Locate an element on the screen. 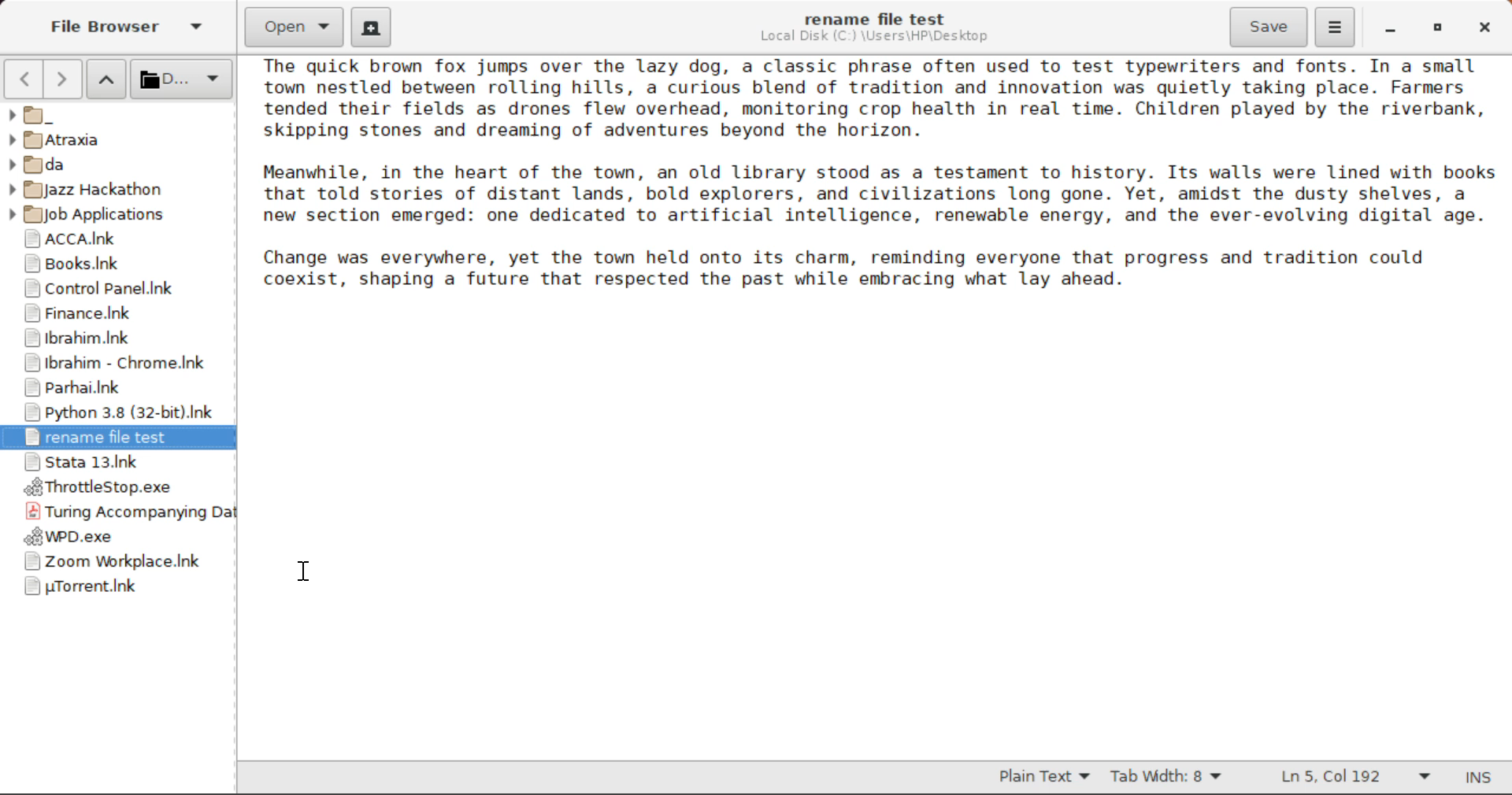 This screenshot has height=795, width=1512. Control Panel Shortcut is located at coordinates (117, 288).